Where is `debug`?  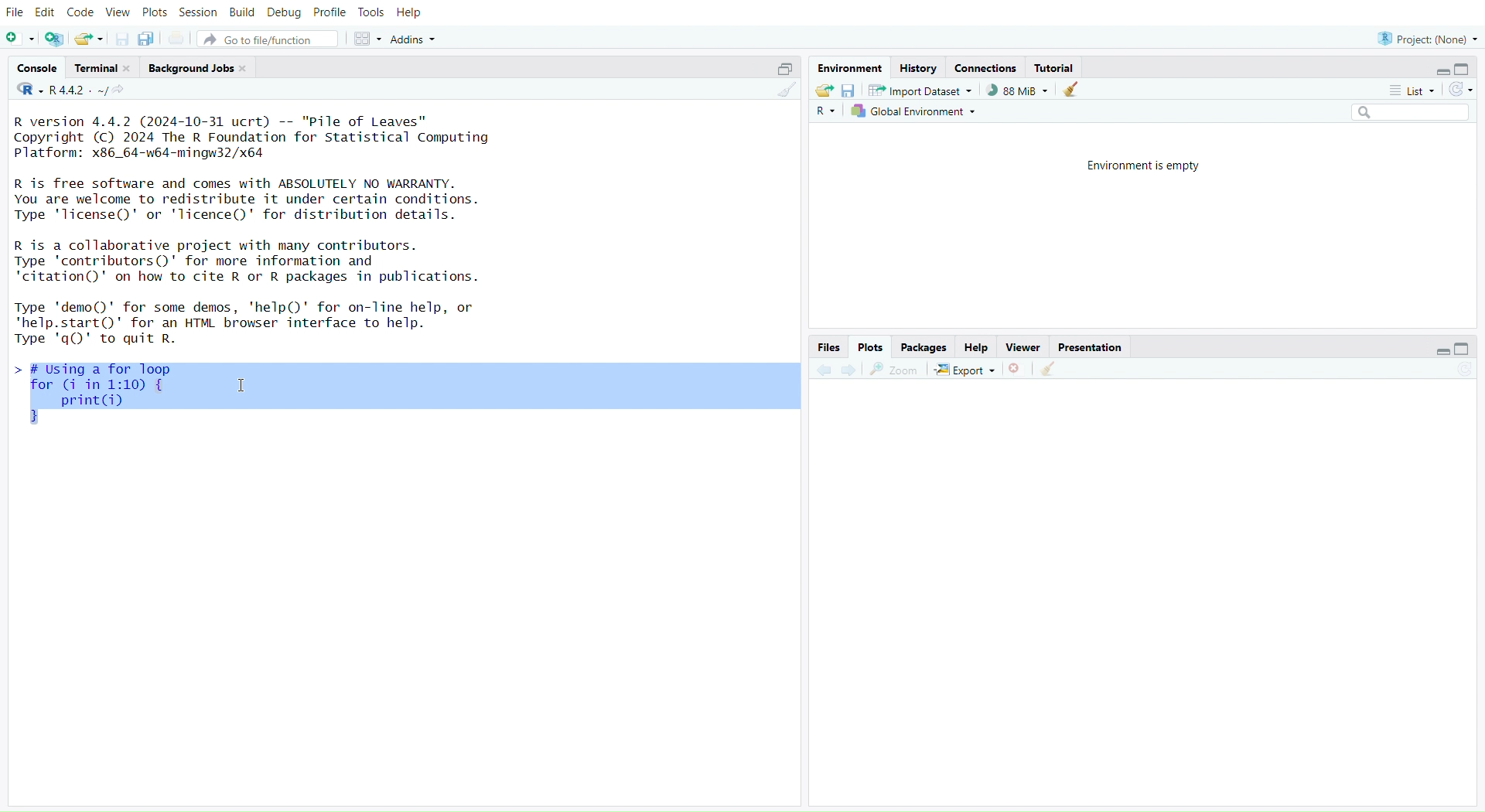 debug is located at coordinates (284, 12).